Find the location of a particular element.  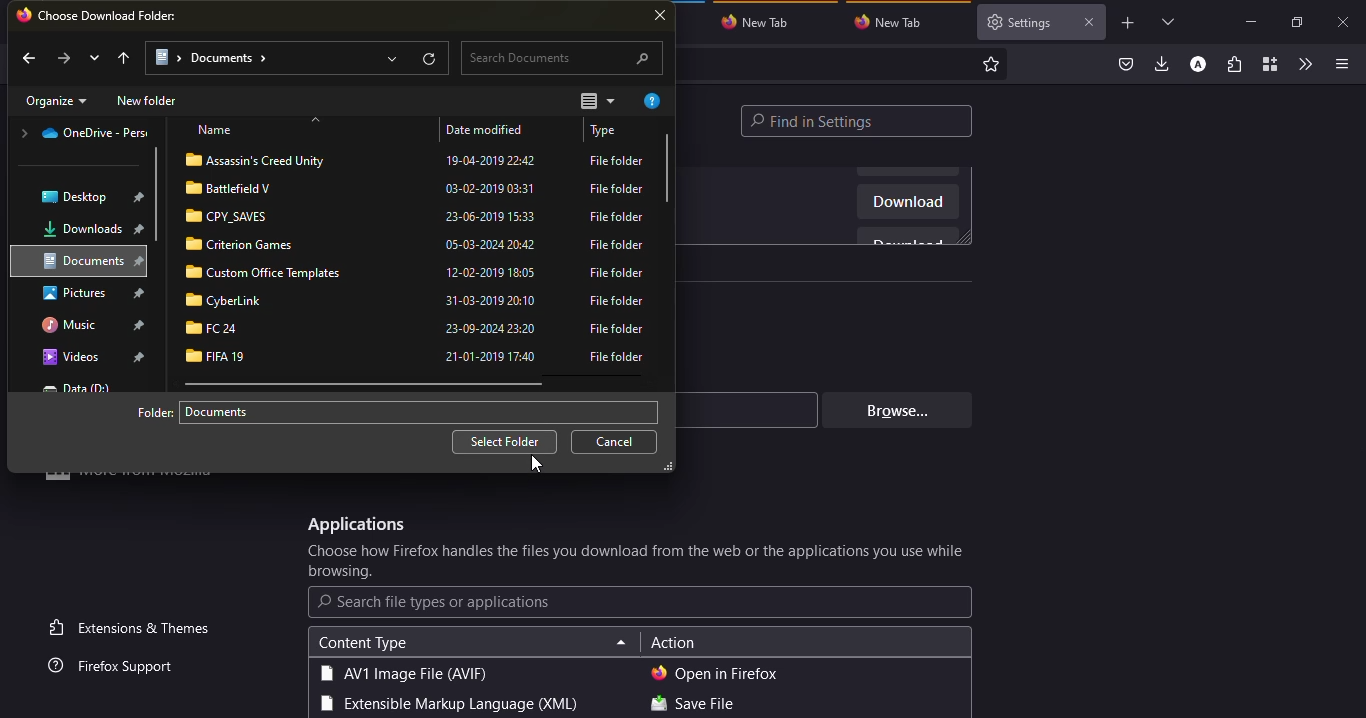

choose is located at coordinates (111, 15).